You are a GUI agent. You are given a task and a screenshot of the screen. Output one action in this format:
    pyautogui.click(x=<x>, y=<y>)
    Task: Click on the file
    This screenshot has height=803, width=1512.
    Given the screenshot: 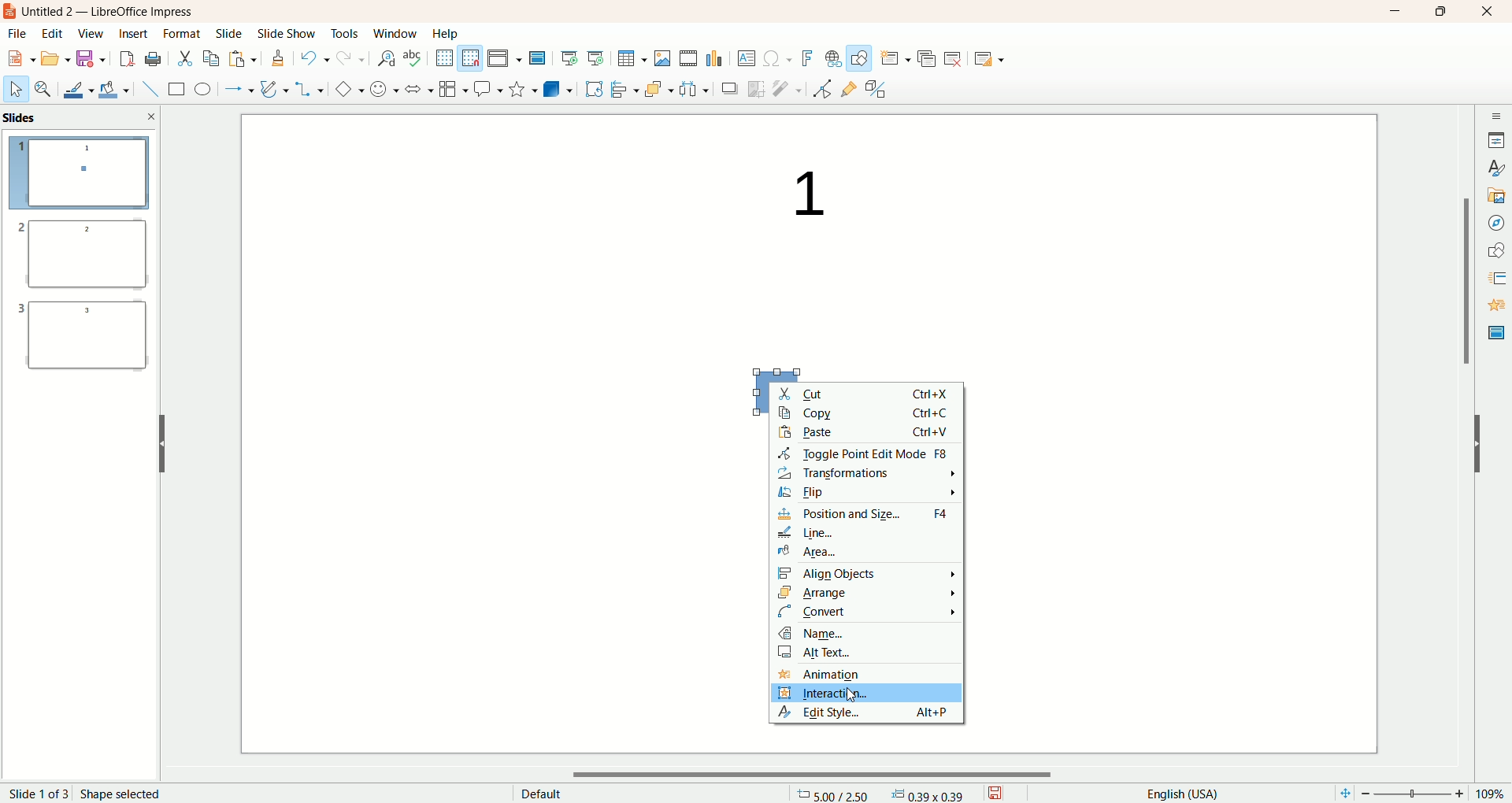 What is the action you would take?
    pyautogui.click(x=22, y=34)
    